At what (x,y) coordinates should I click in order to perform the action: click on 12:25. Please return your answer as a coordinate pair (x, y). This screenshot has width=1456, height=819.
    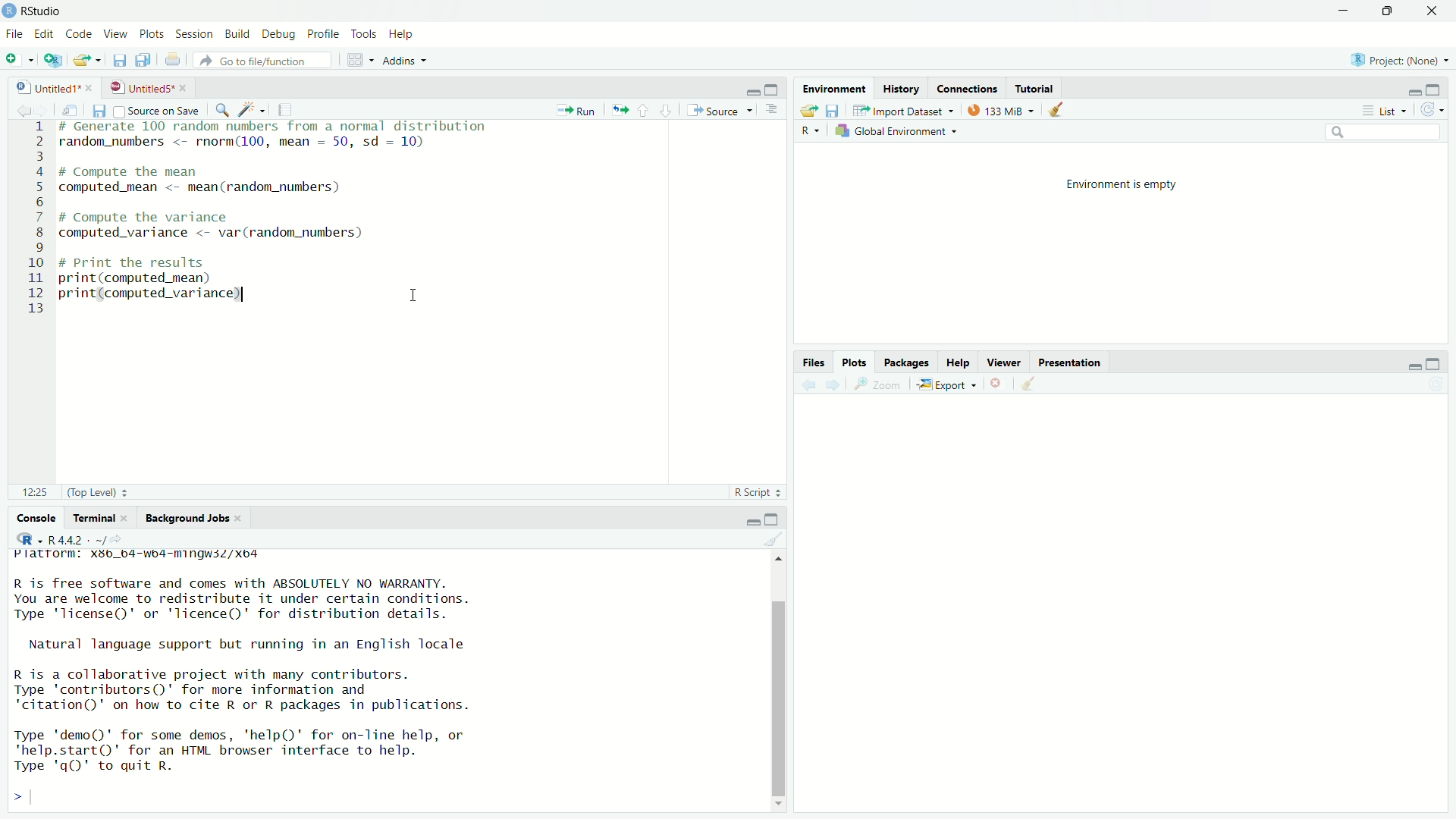
    Looking at the image, I should click on (30, 493).